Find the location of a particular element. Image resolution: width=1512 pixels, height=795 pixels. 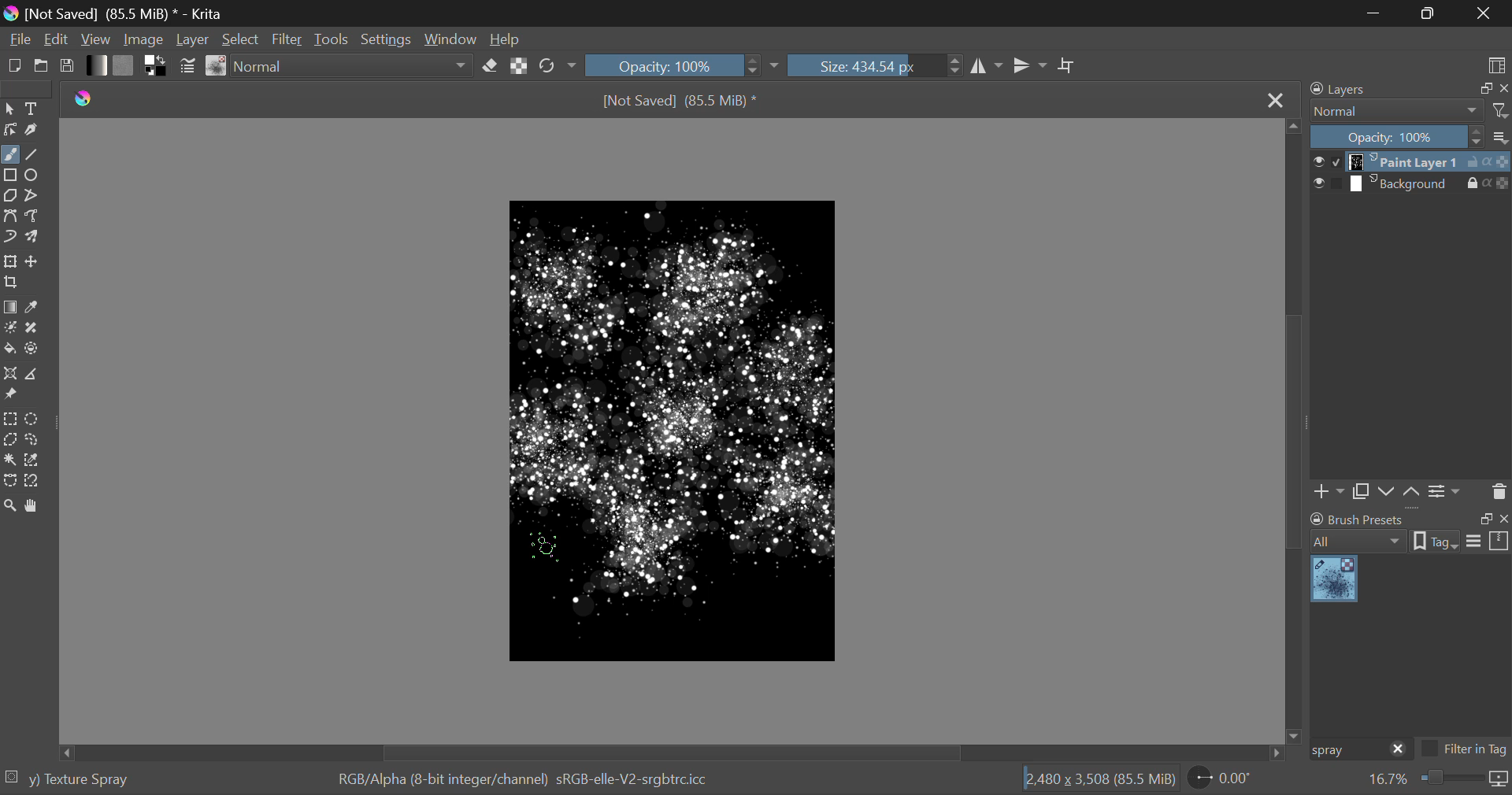

Measurements is located at coordinates (30, 375).